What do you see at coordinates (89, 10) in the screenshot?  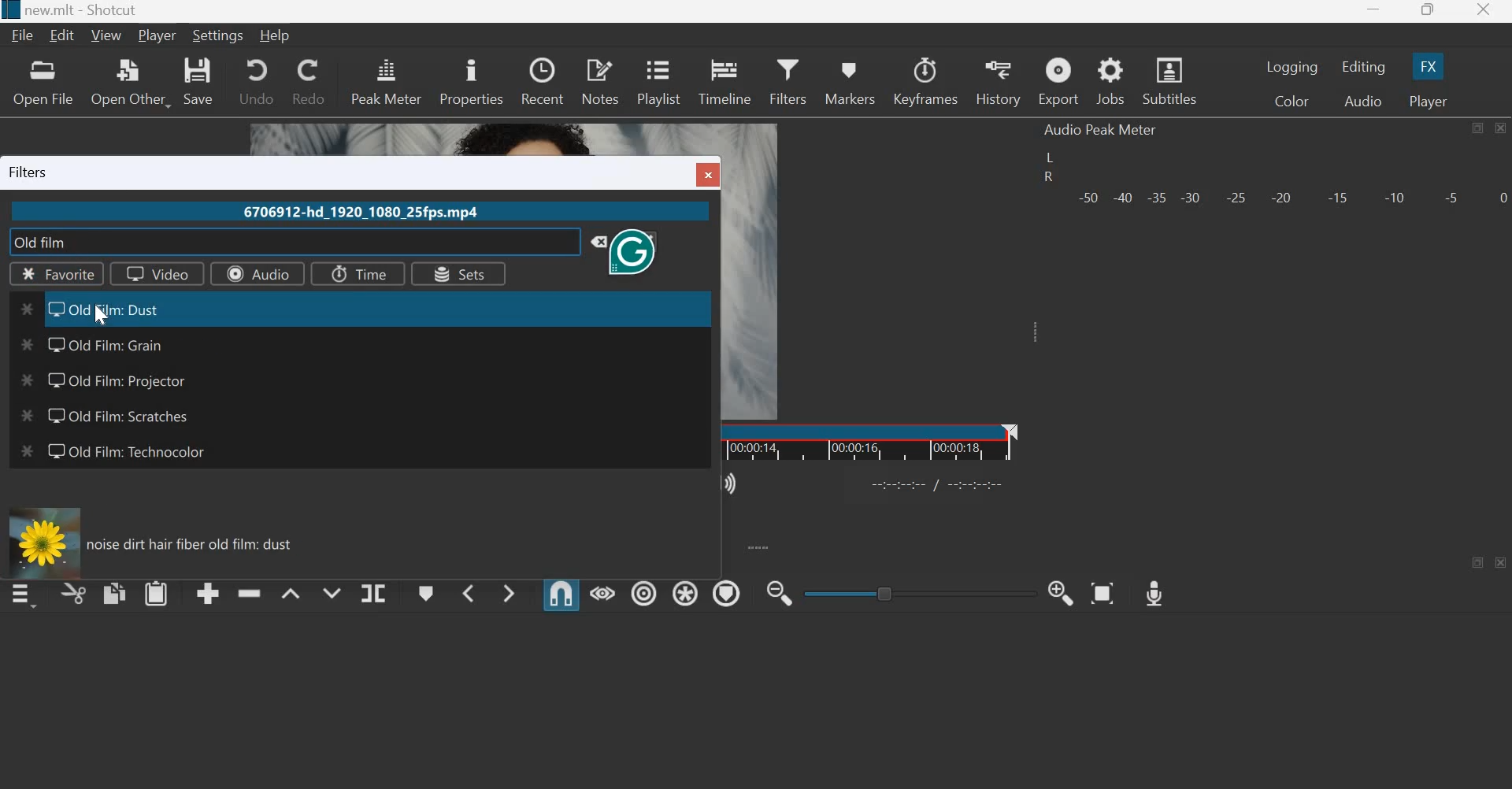 I see `new.mlt - Shotcut` at bounding box center [89, 10].